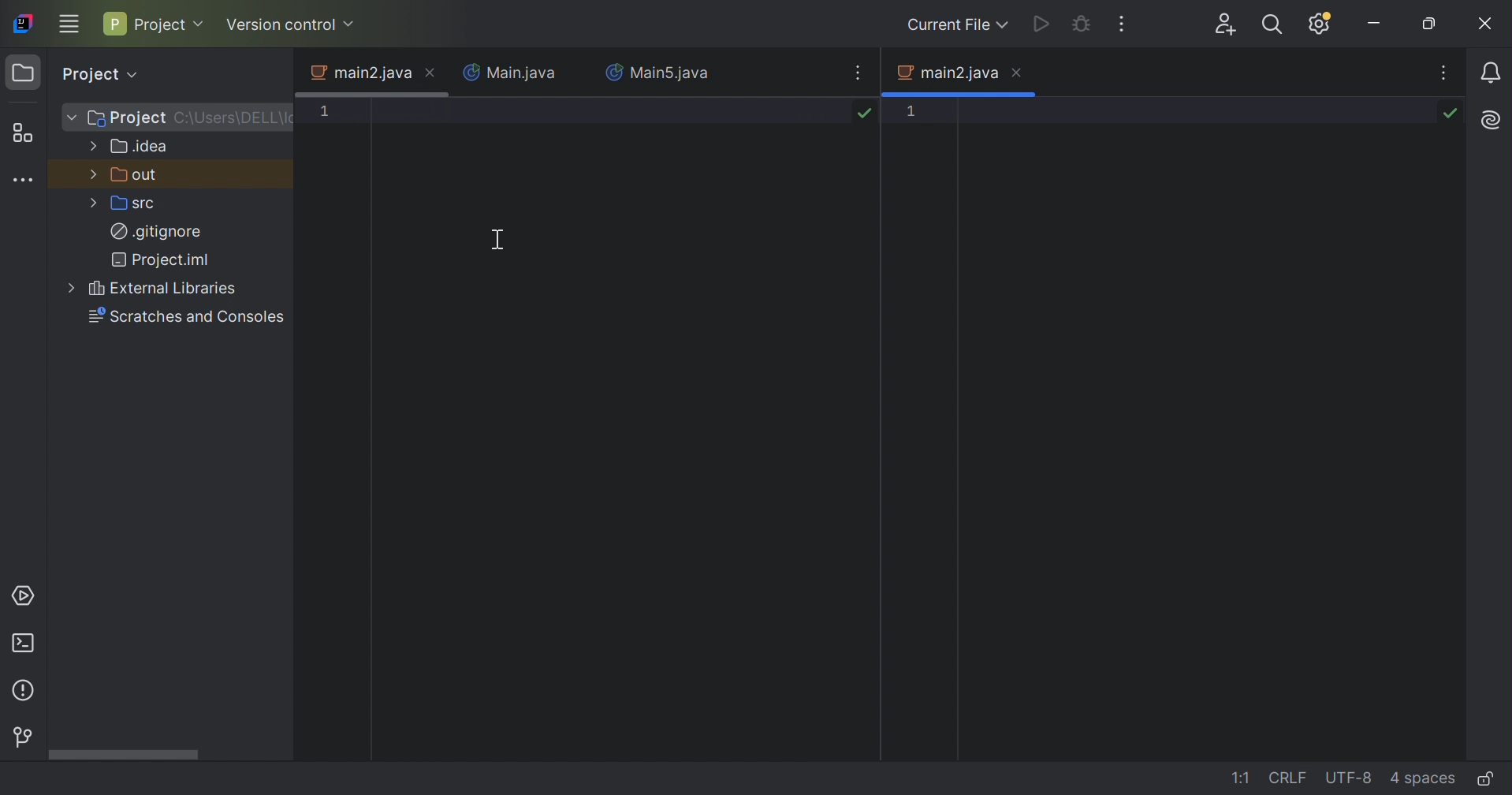 This screenshot has width=1512, height=795. Describe the element at coordinates (233, 118) in the screenshot. I see `C:\Users\DELL\` at that location.